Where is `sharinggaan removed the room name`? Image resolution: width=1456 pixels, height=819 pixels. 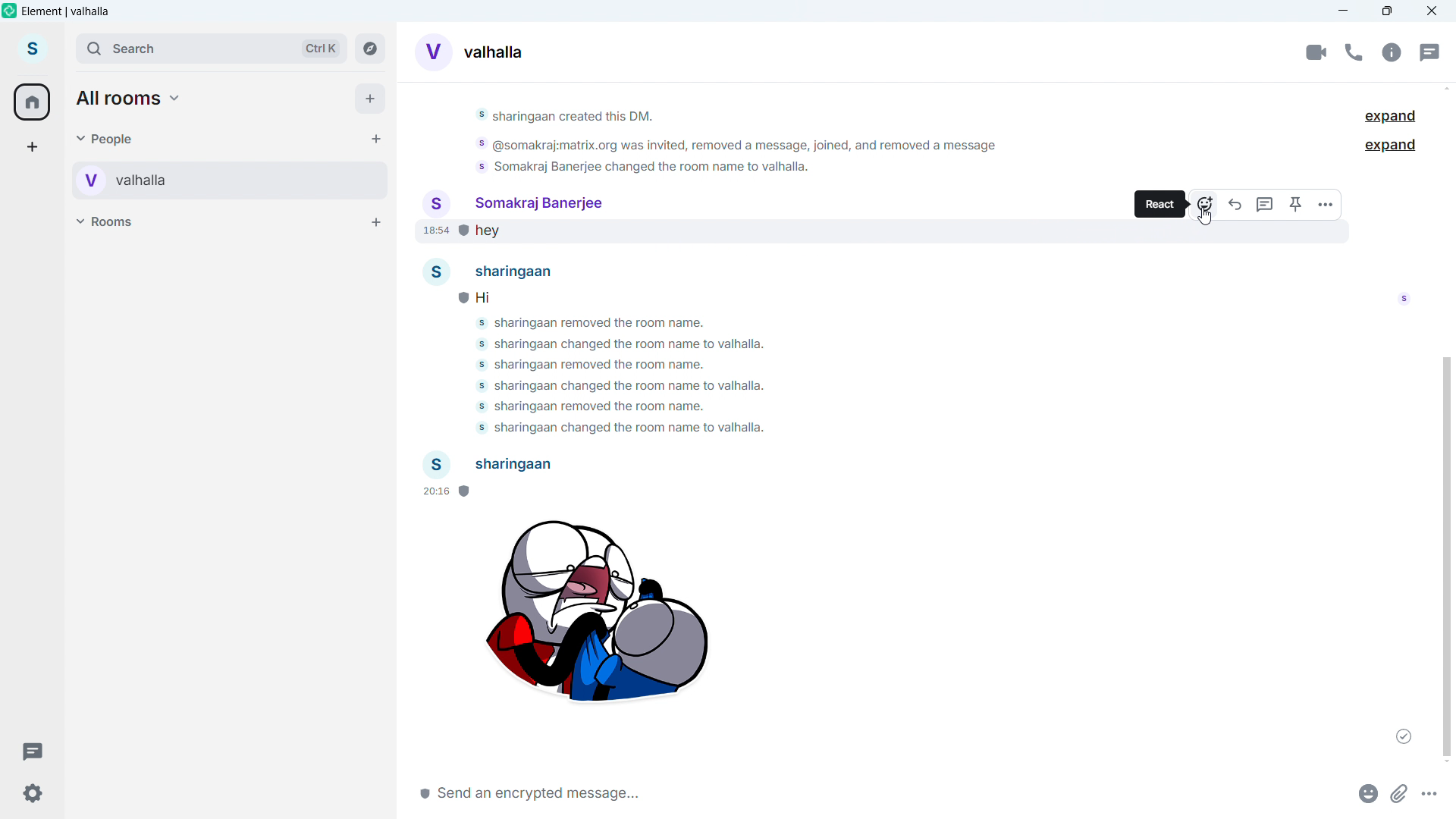
sharinggaan removed the room name is located at coordinates (611, 325).